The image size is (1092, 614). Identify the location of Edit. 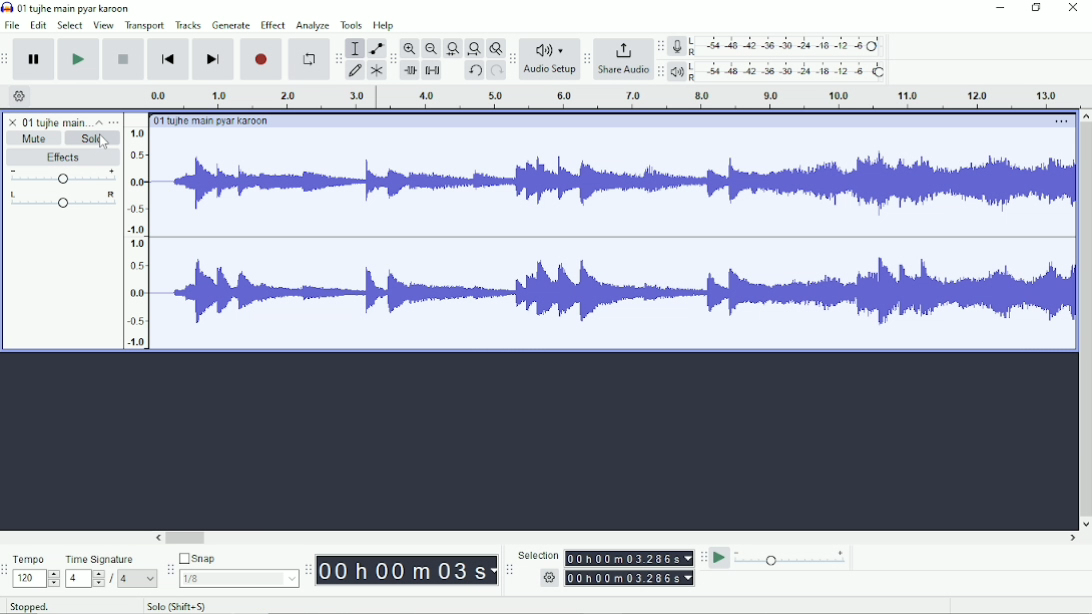
(37, 26).